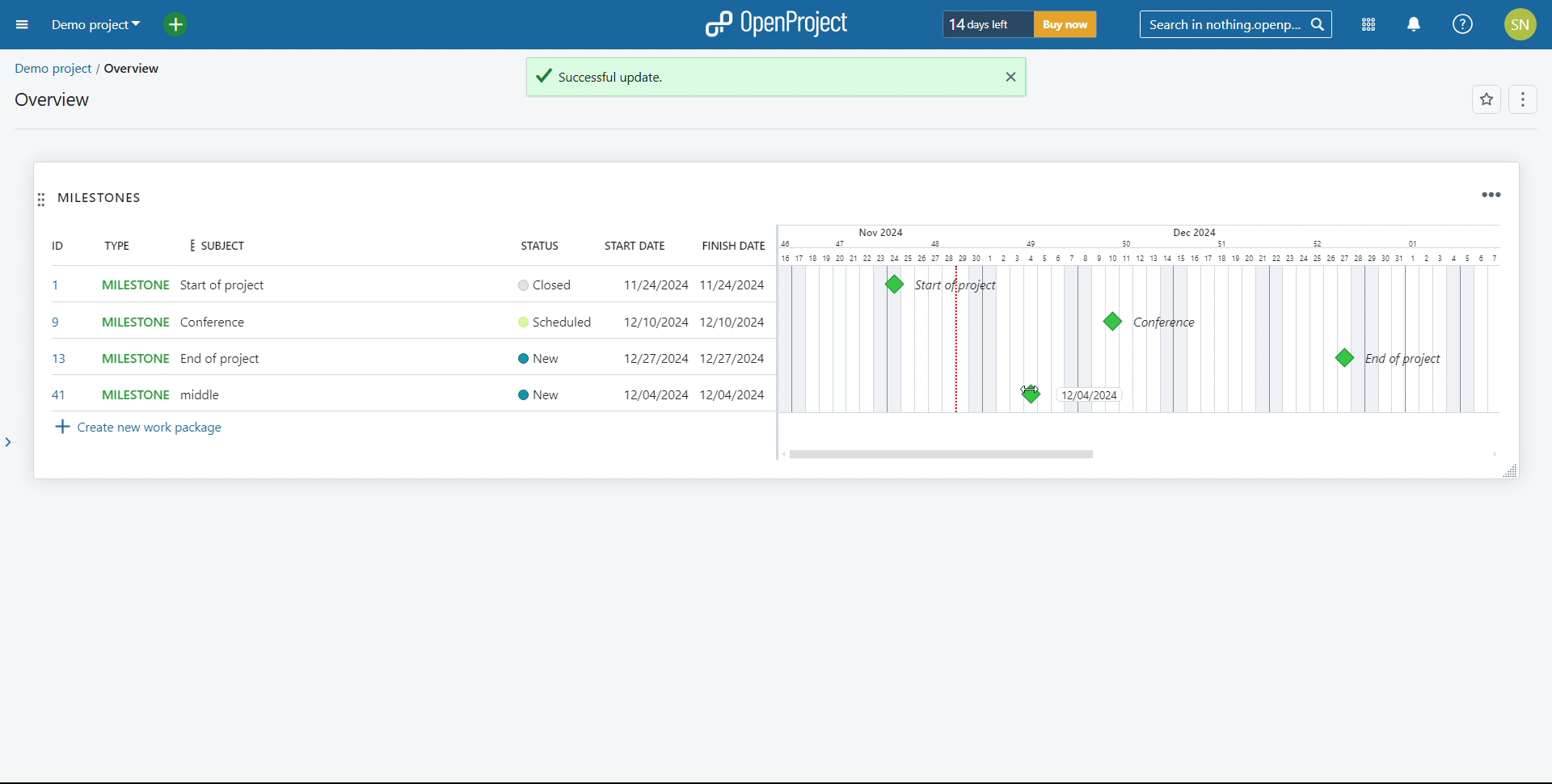 This screenshot has width=1552, height=784. What do you see at coordinates (1138, 319) in the screenshot?
I see `calendar view` at bounding box center [1138, 319].